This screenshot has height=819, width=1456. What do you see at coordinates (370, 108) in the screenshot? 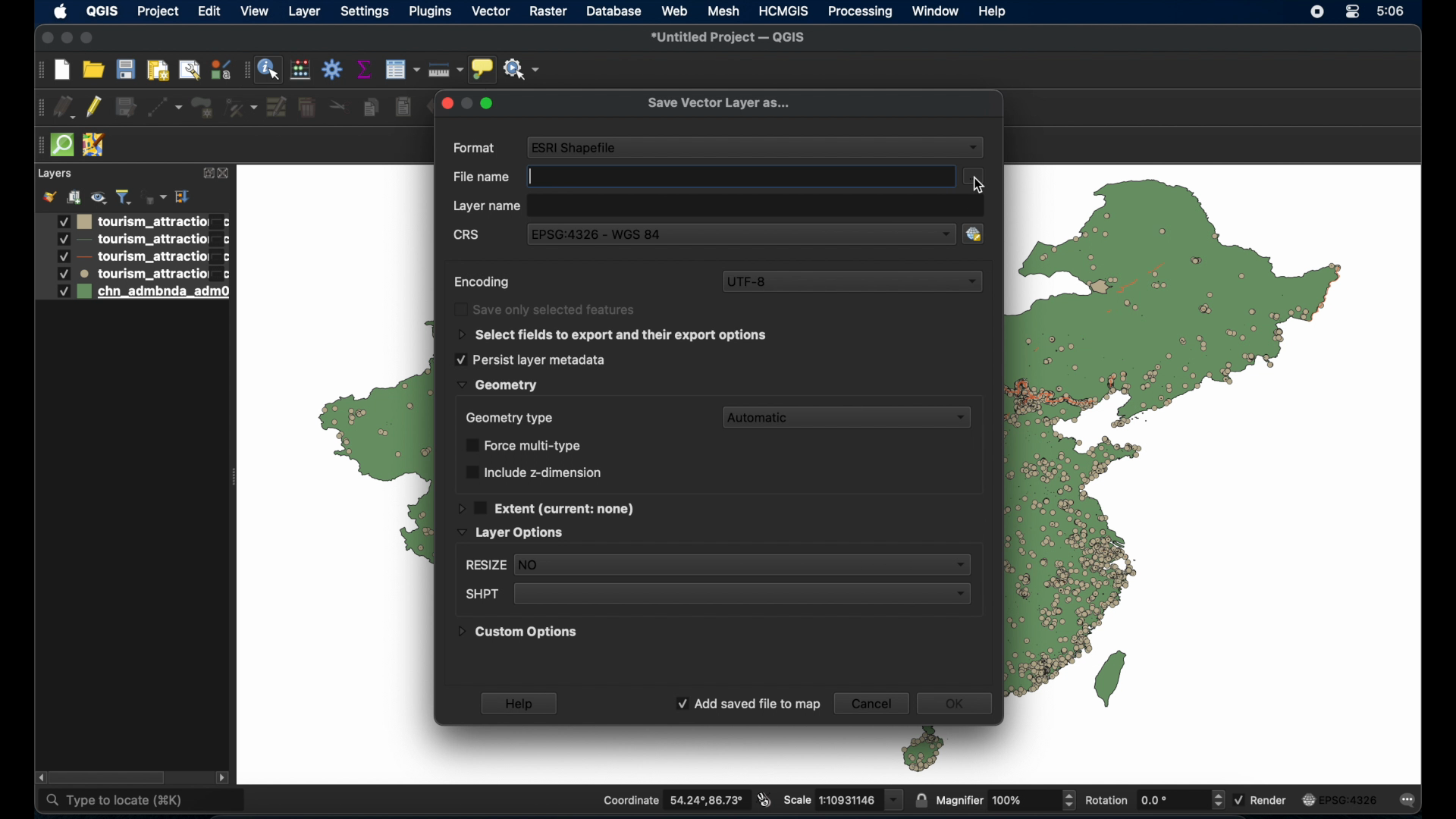
I see `copy features` at bounding box center [370, 108].